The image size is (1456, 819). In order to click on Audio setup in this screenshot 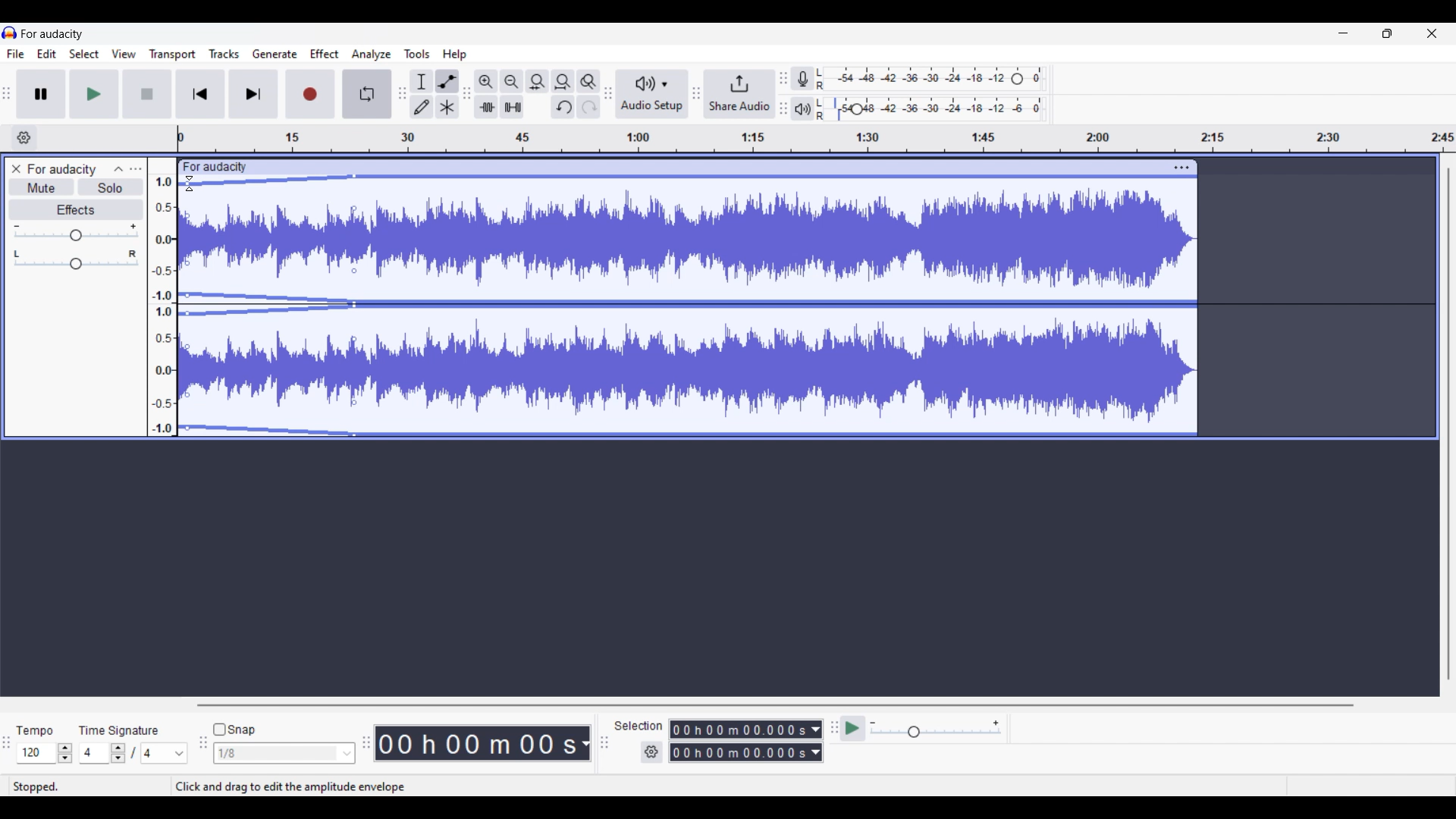, I will do `click(652, 94)`.